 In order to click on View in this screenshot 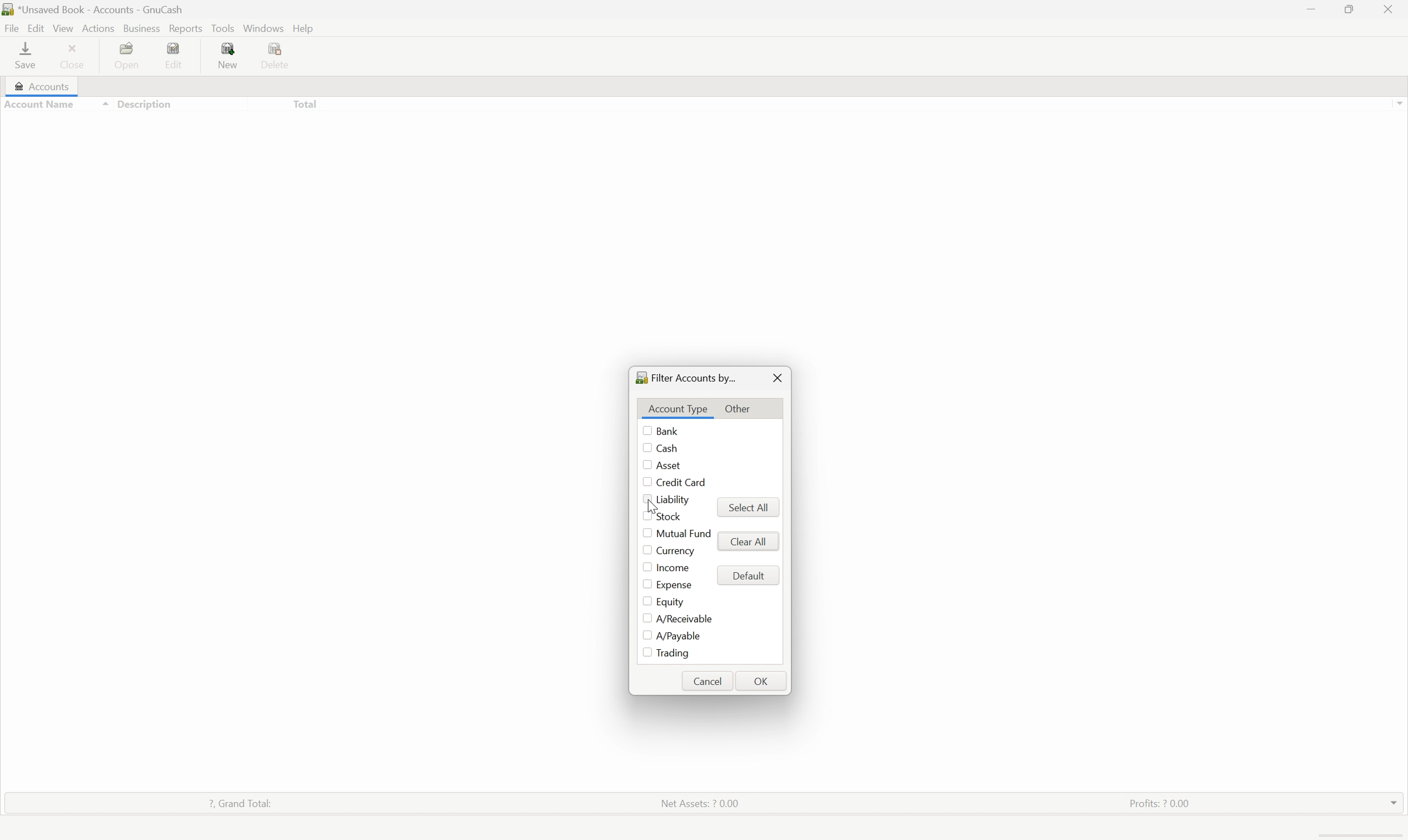, I will do `click(63, 28)`.